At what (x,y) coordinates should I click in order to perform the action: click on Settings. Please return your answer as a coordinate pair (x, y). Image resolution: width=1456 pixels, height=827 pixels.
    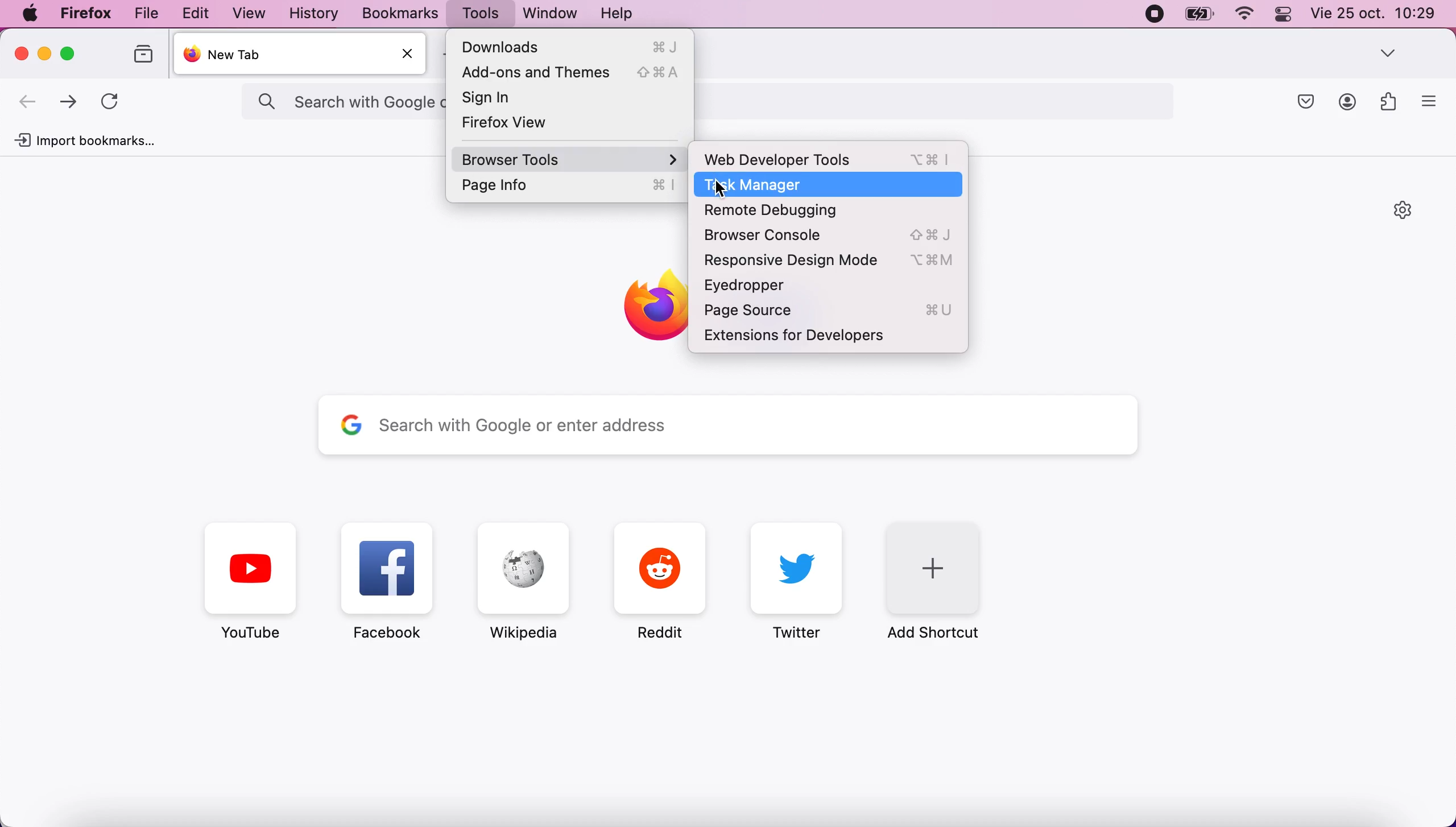
    Looking at the image, I should click on (1405, 210).